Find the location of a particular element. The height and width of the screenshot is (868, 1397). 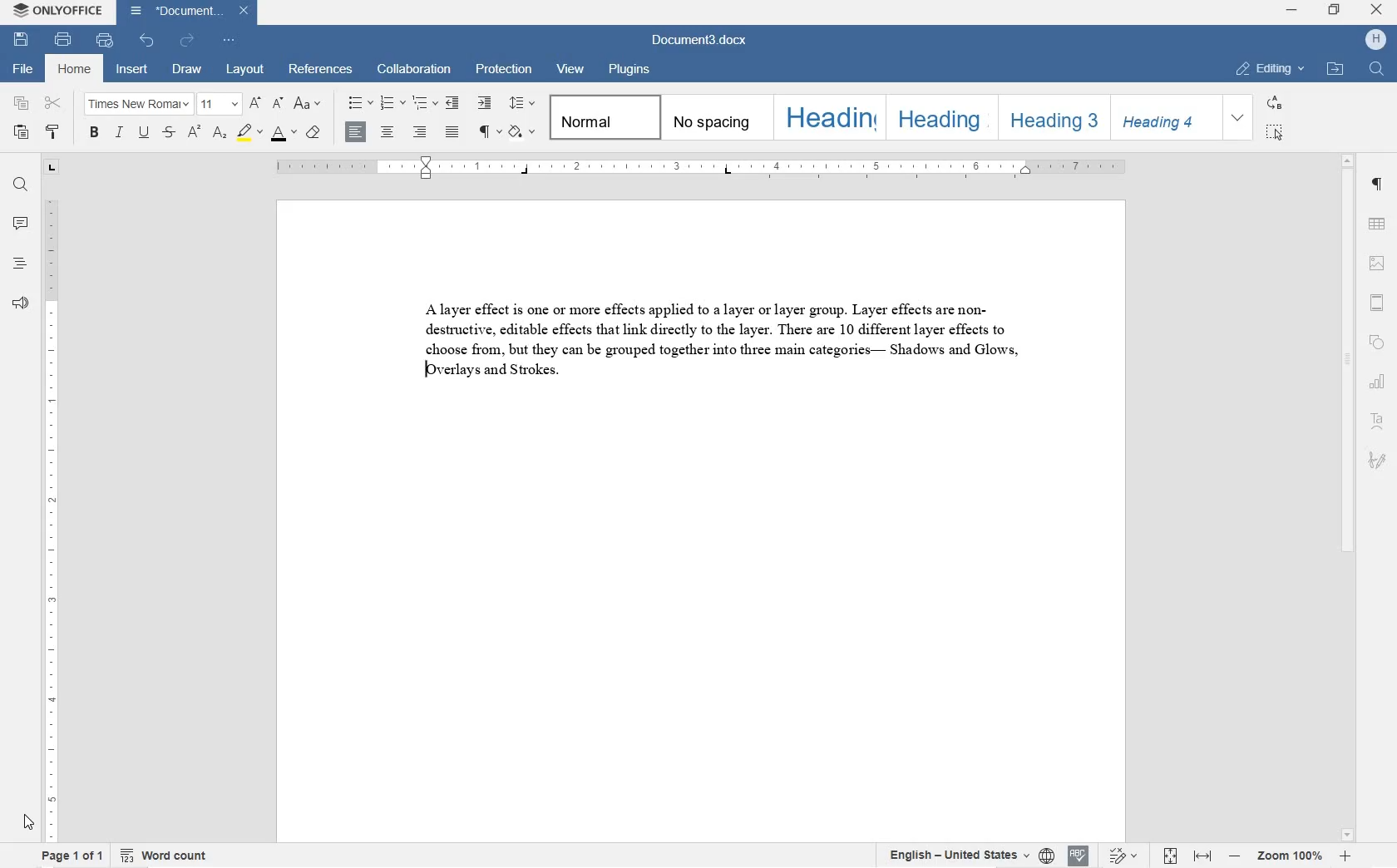

NONPRINTING CHARACTERS is located at coordinates (490, 132).